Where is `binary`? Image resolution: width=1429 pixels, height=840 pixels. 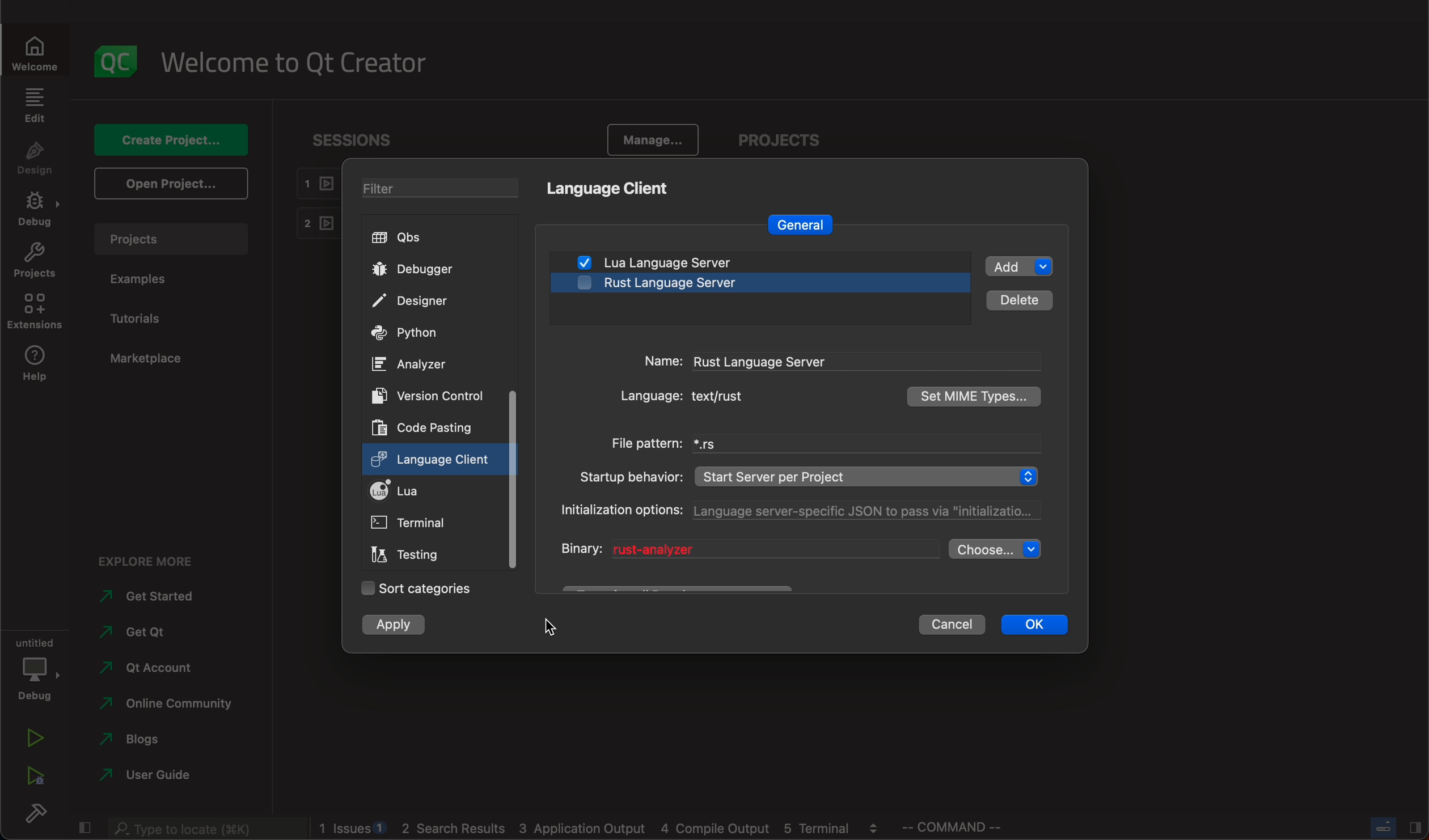 binary is located at coordinates (743, 549).